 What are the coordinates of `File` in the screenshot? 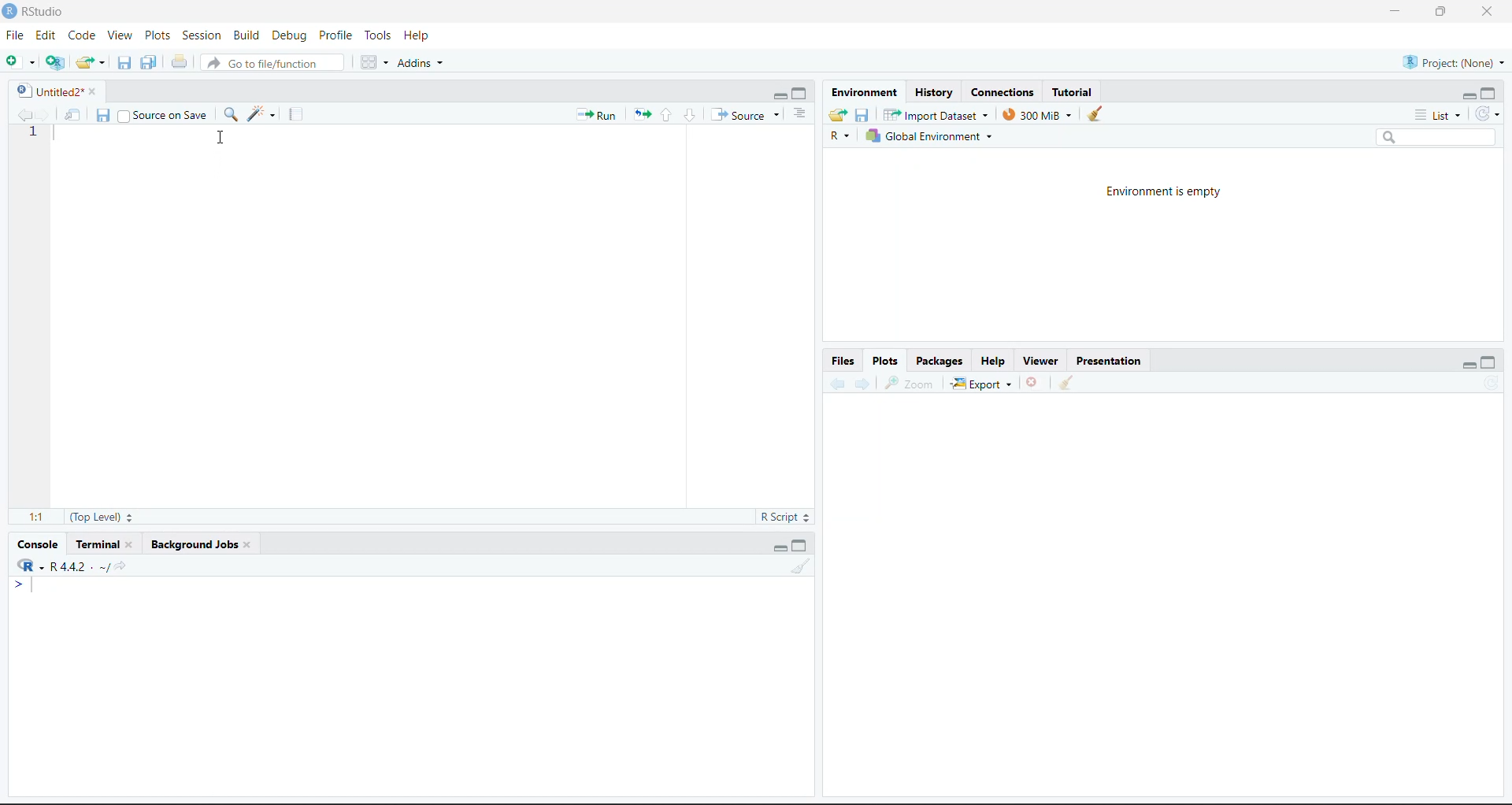 It's located at (13, 37).